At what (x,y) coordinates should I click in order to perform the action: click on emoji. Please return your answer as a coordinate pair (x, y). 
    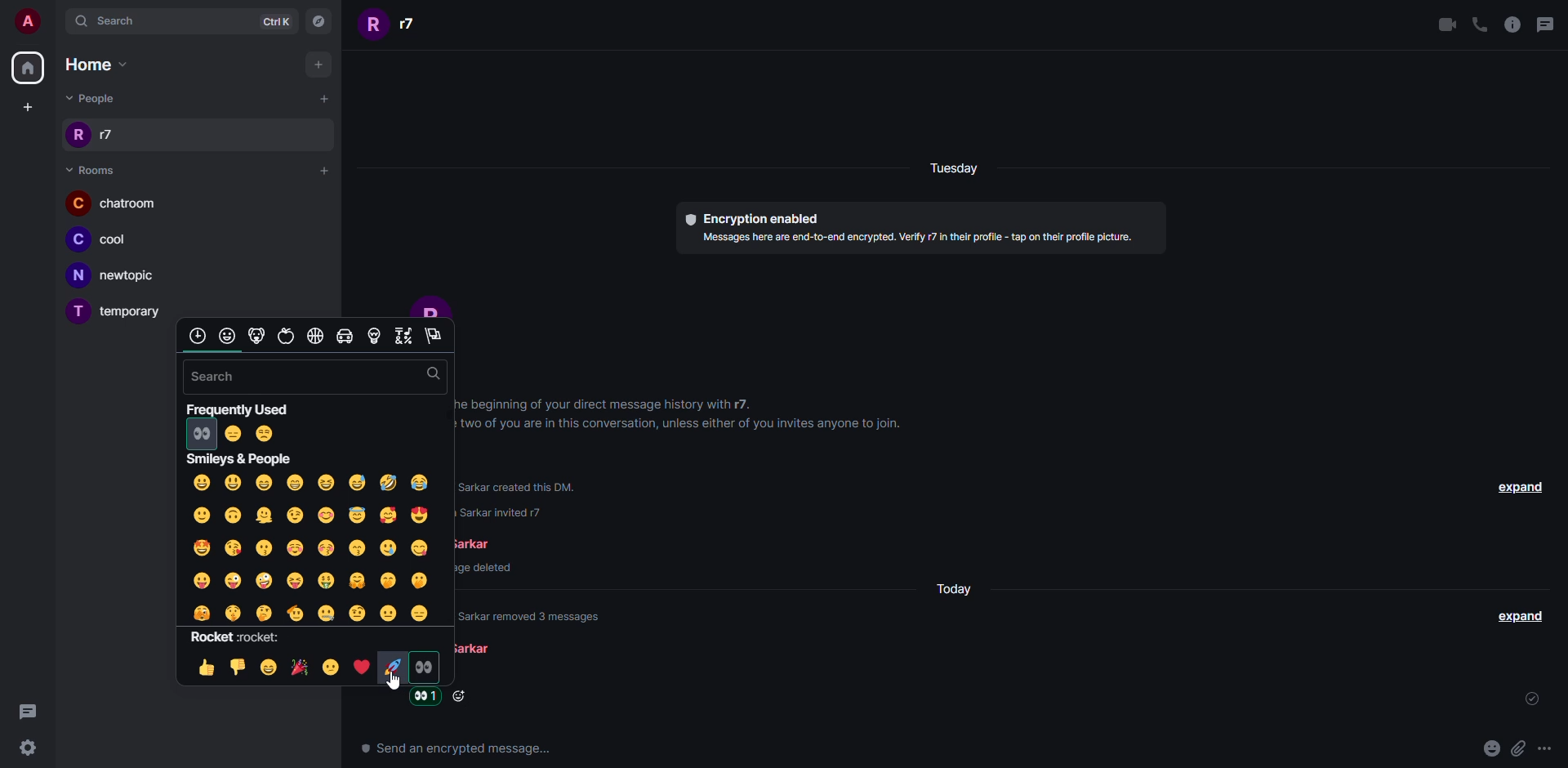
    Looking at the image, I should click on (206, 669).